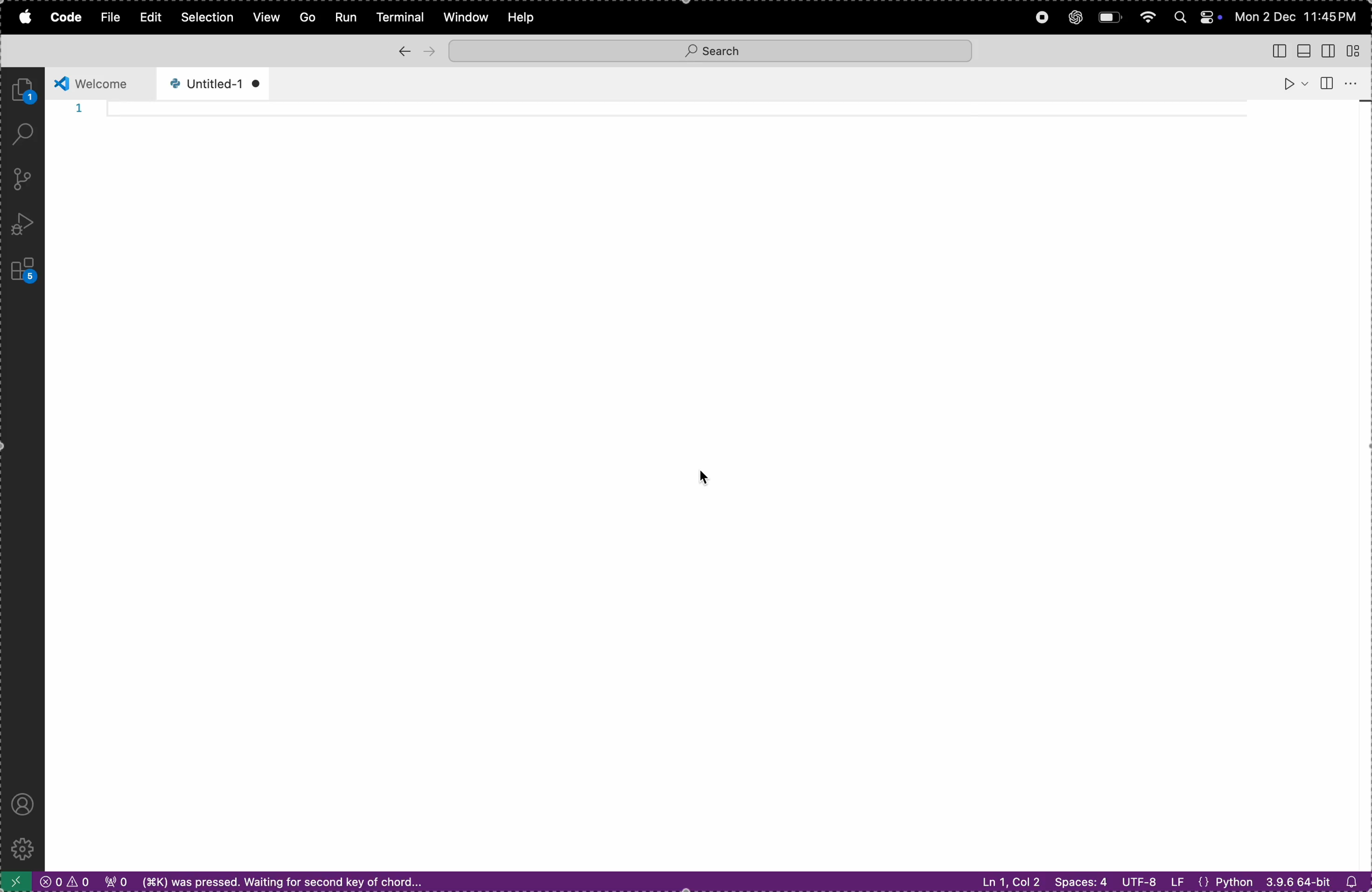  I want to click on source control, so click(19, 179).